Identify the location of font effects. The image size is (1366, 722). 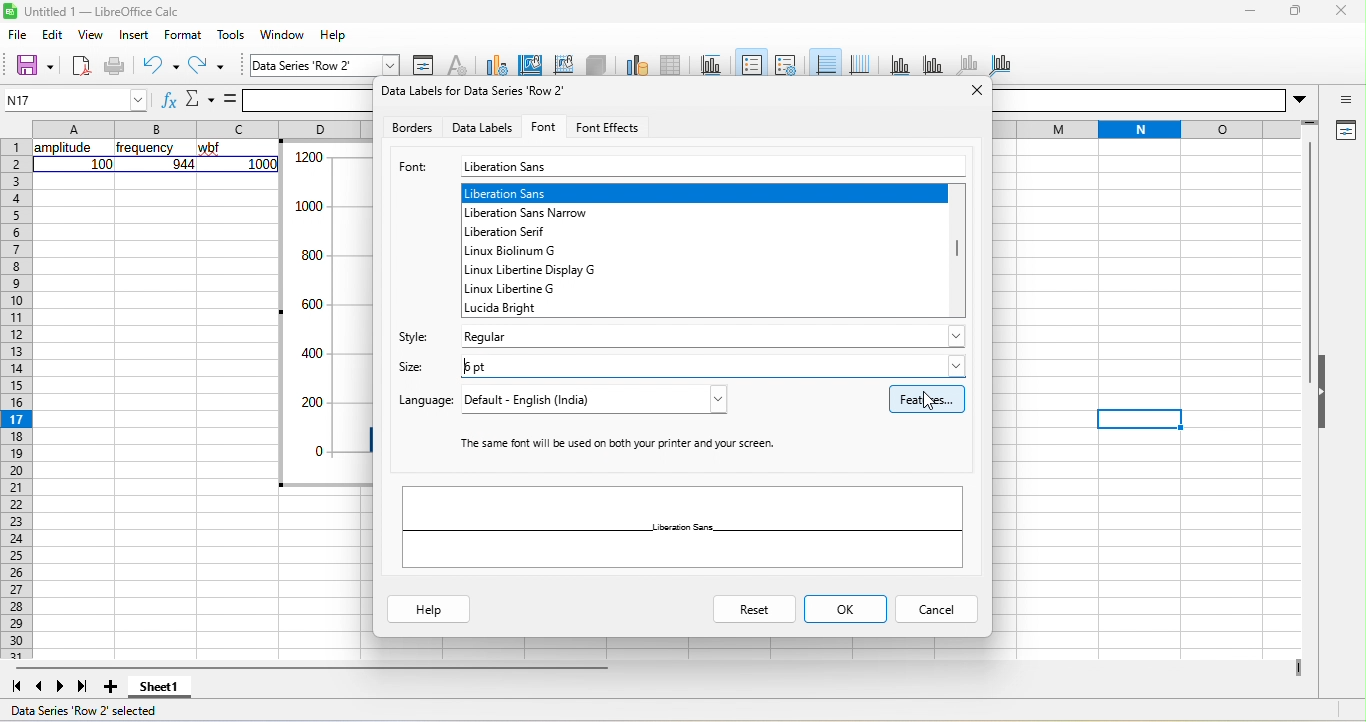
(613, 126).